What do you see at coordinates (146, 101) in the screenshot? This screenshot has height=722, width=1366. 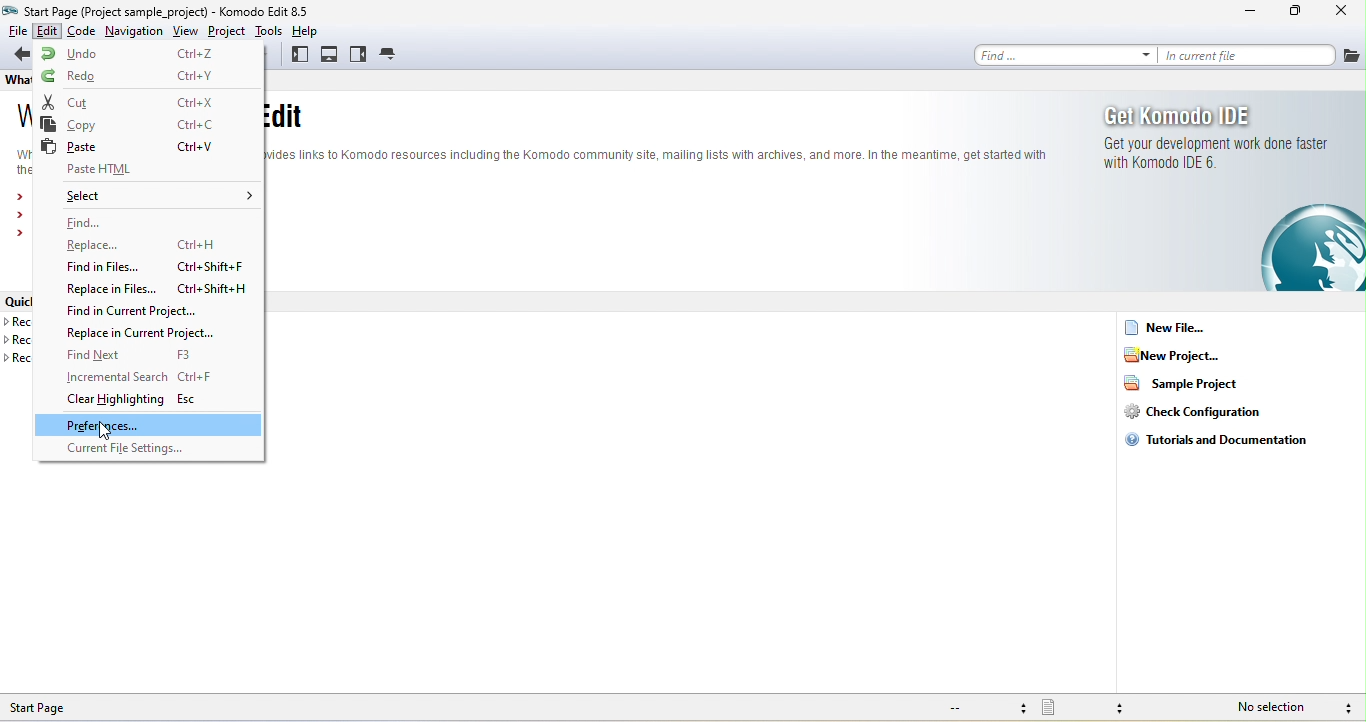 I see `cut` at bounding box center [146, 101].